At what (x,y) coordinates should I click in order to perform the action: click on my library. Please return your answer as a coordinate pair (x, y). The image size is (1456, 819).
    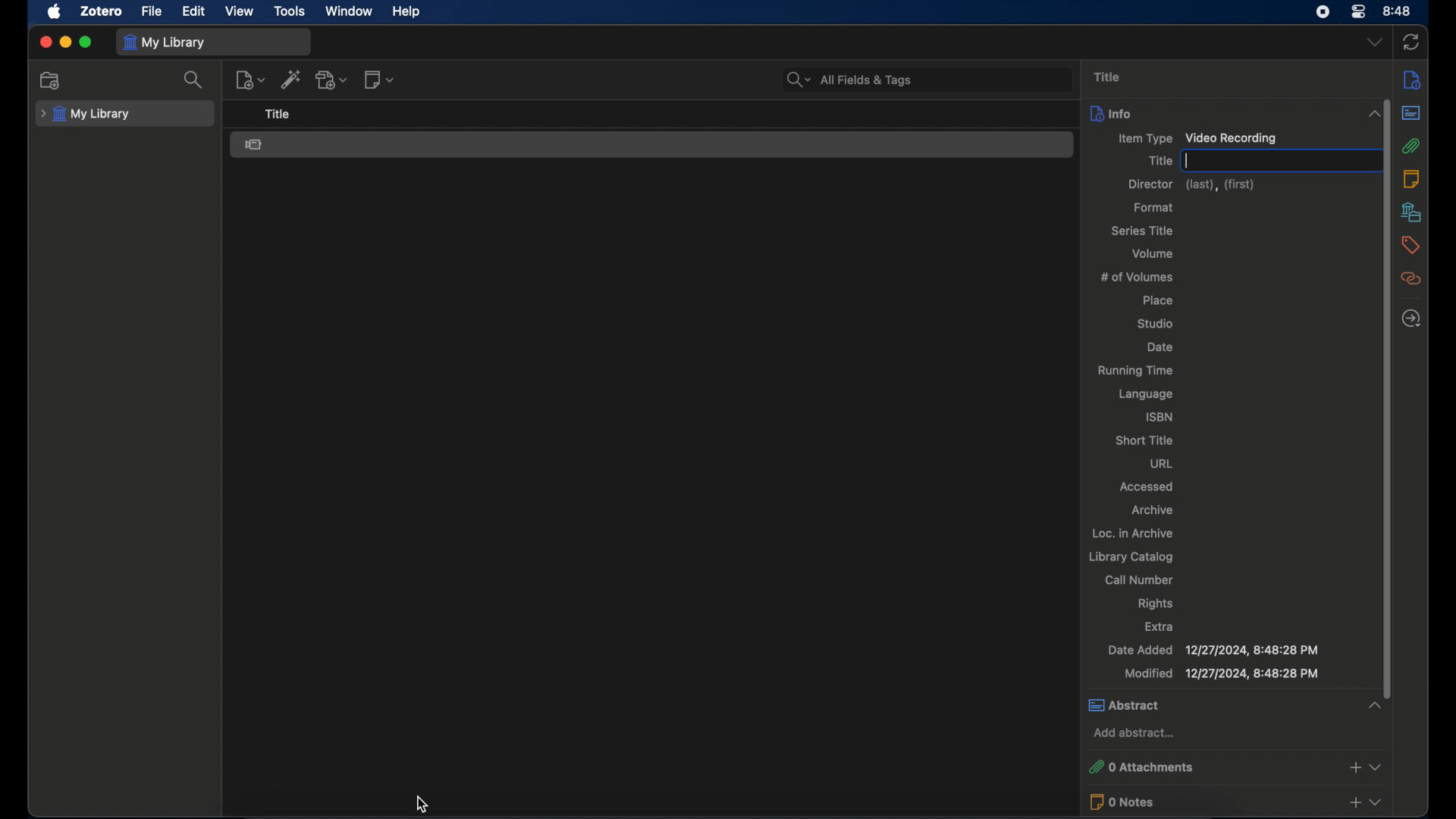
    Looking at the image, I should click on (87, 114).